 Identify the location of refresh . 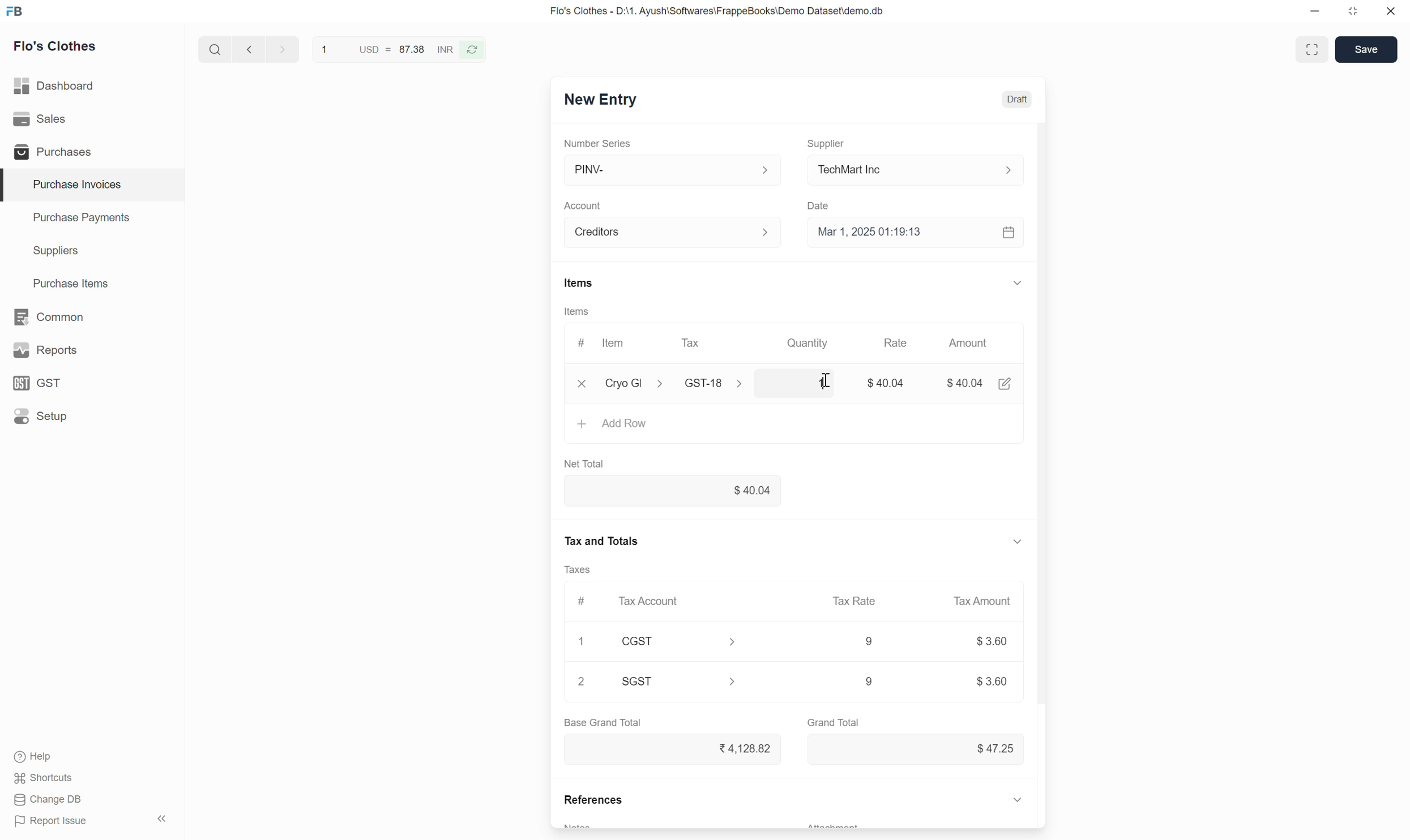
(474, 49).